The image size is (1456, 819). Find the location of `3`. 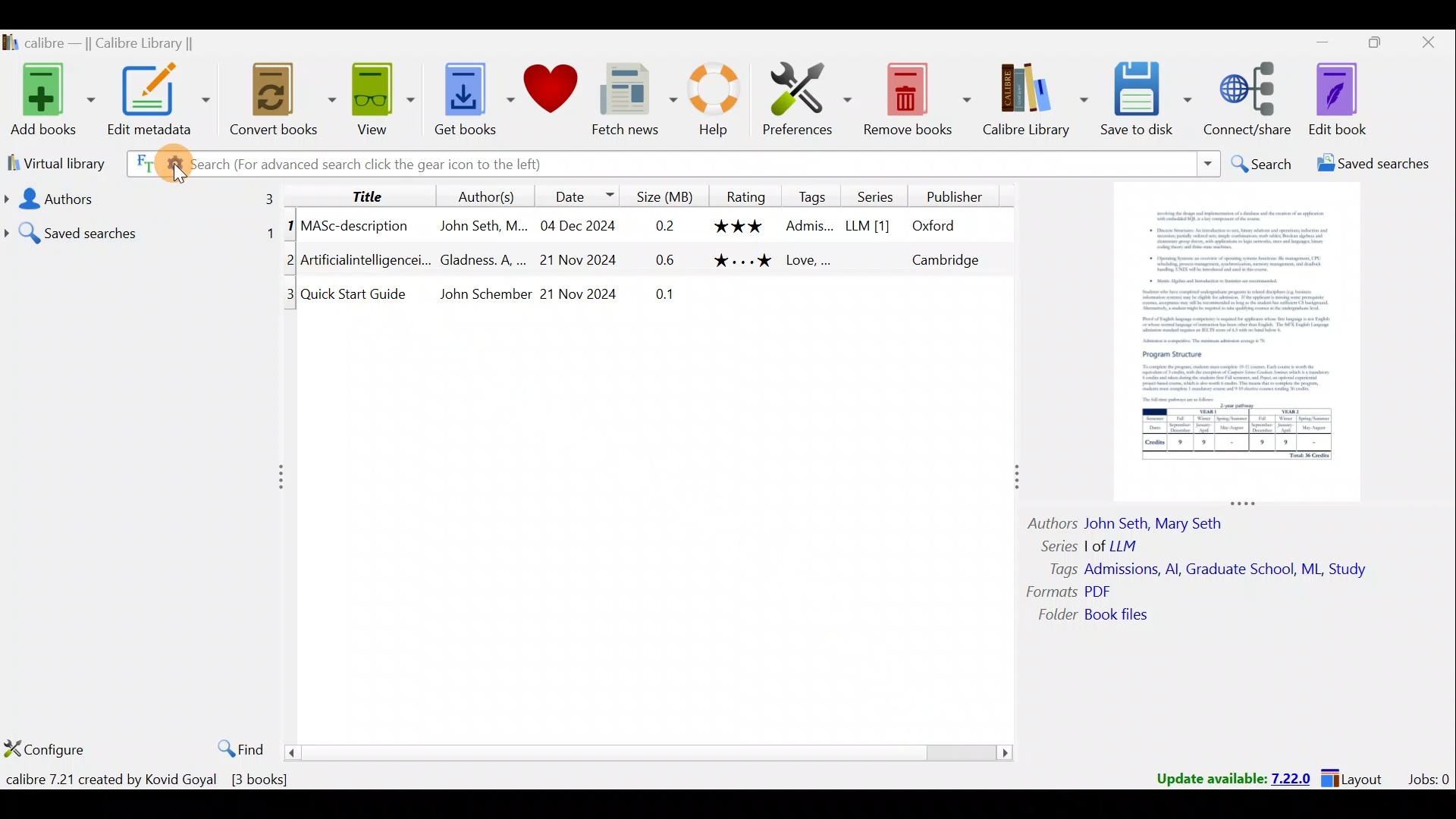

3 is located at coordinates (291, 299).